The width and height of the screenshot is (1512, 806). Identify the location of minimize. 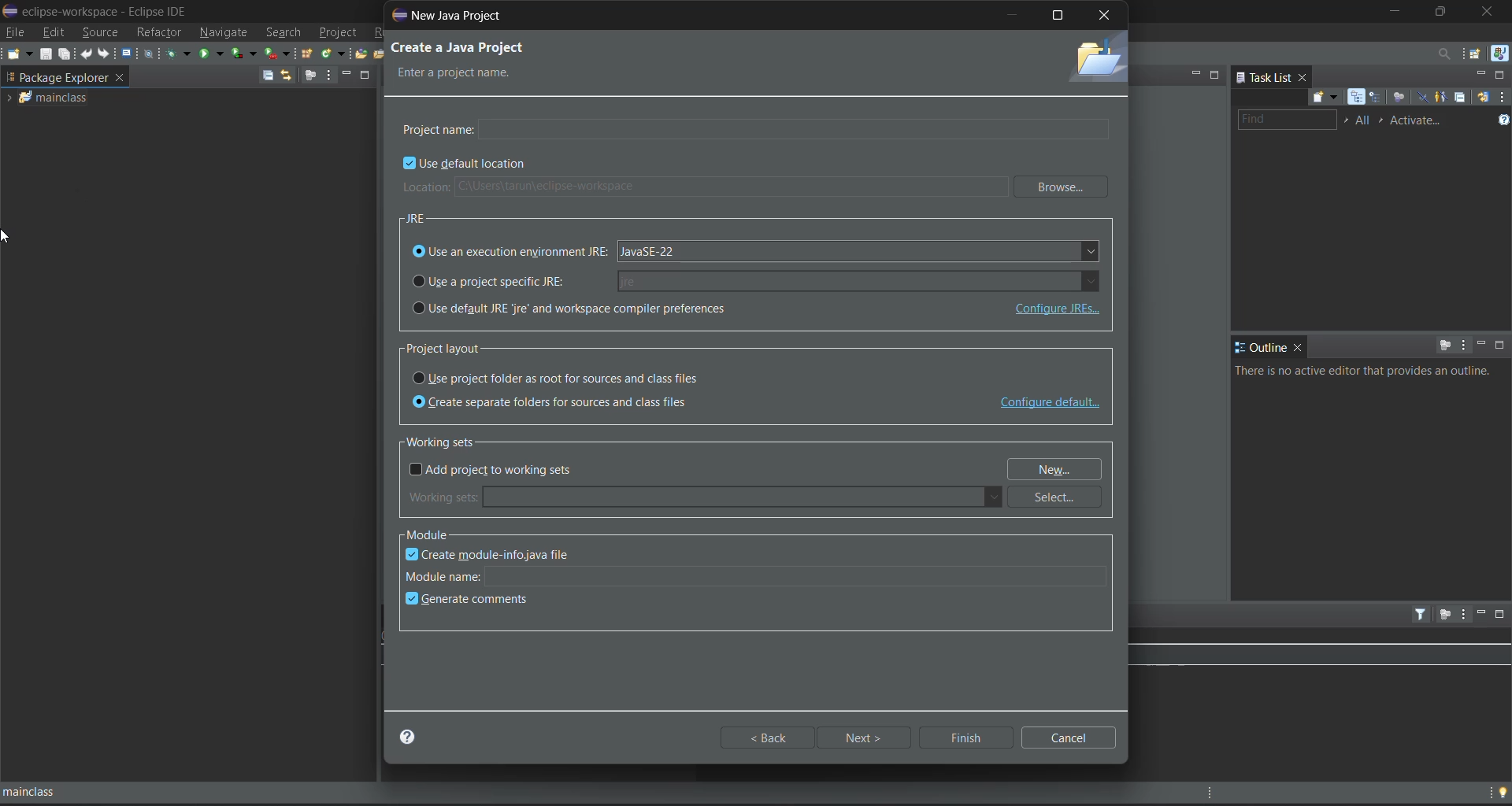
(1393, 13).